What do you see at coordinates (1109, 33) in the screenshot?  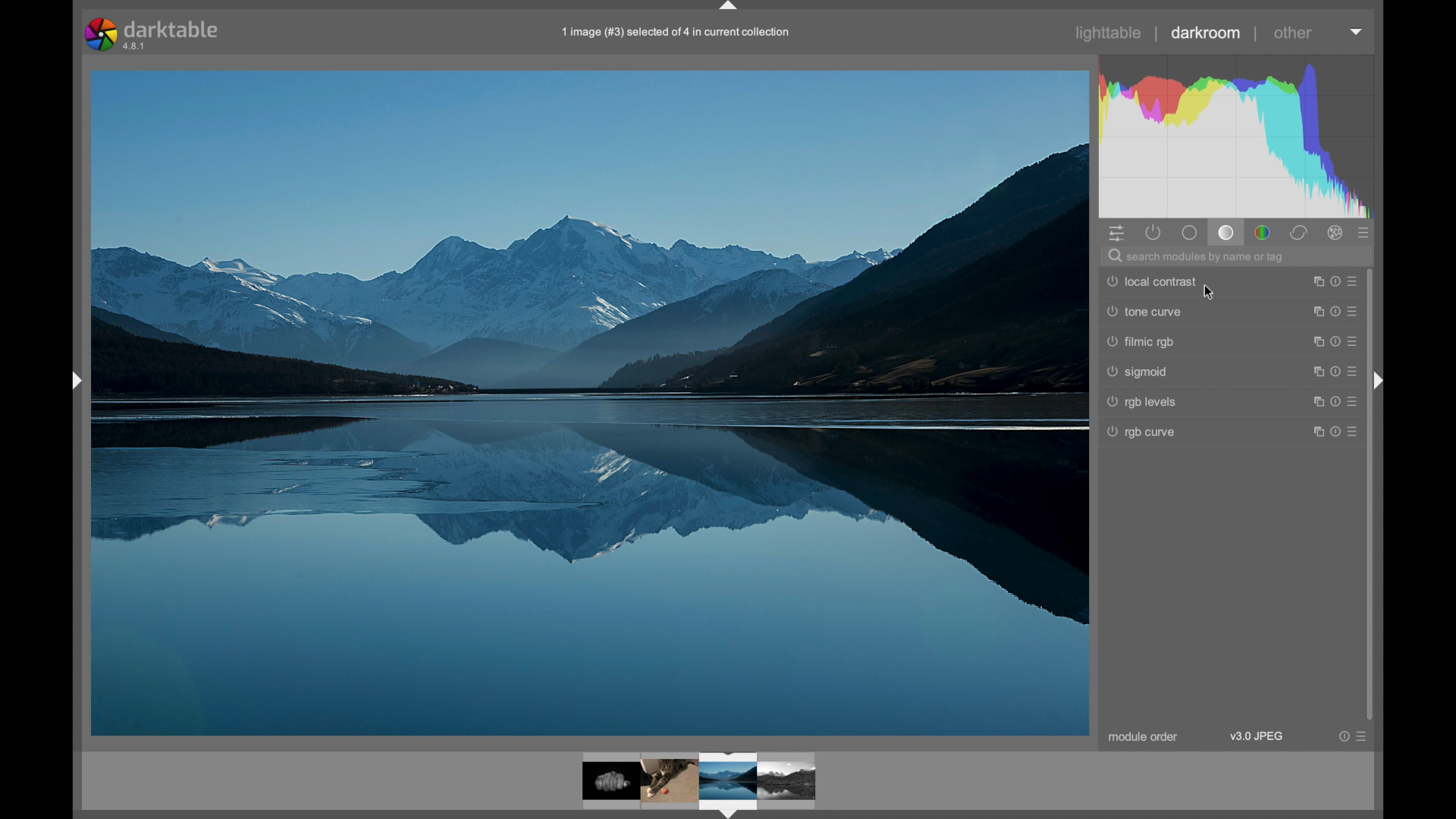 I see `lighttable` at bounding box center [1109, 33].